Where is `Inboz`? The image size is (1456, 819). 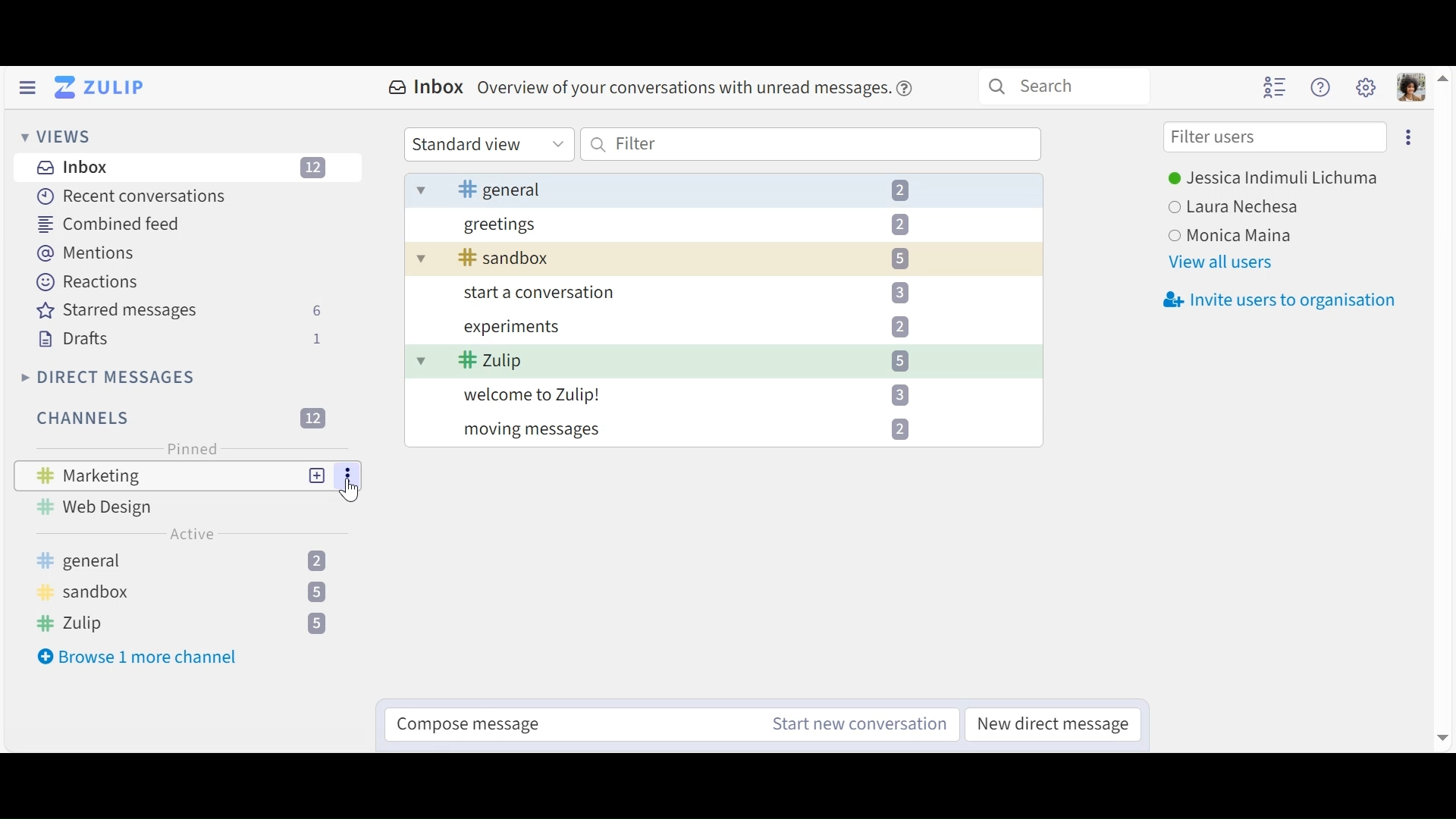
Inboz is located at coordinates (183, 169).